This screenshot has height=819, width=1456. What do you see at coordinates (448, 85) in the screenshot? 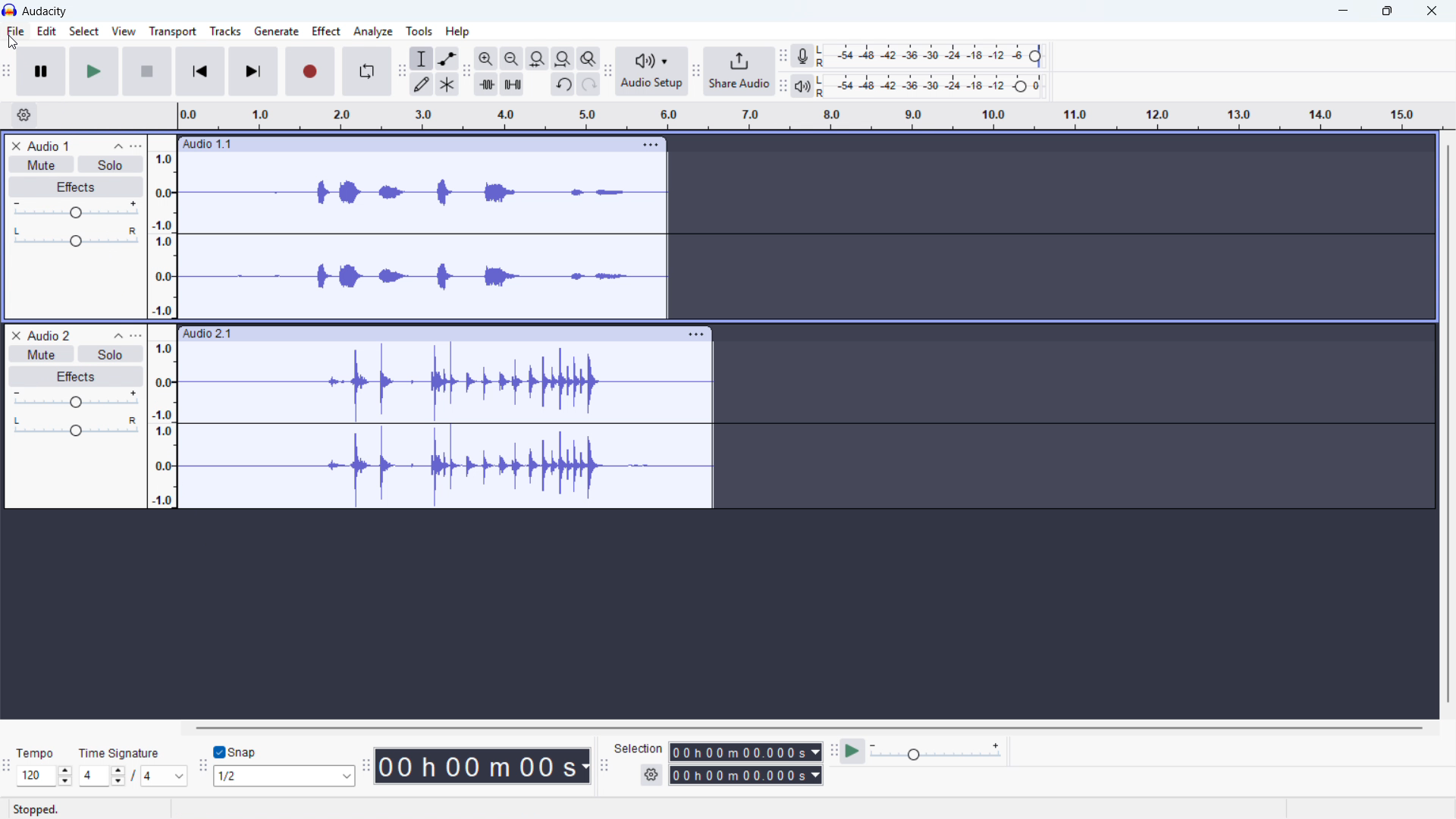
I see `Multi - tool` at bounding box center [448, 85].